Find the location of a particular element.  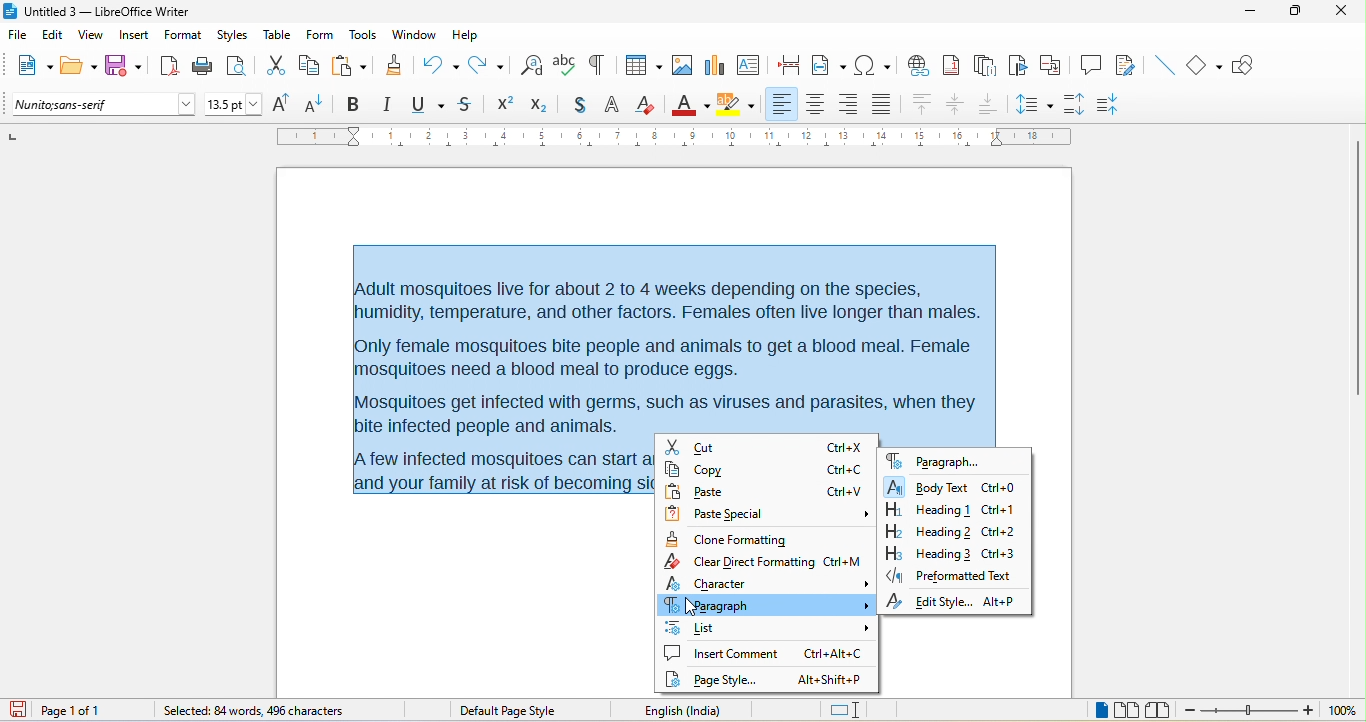

center is located at coordinates (957, 105).